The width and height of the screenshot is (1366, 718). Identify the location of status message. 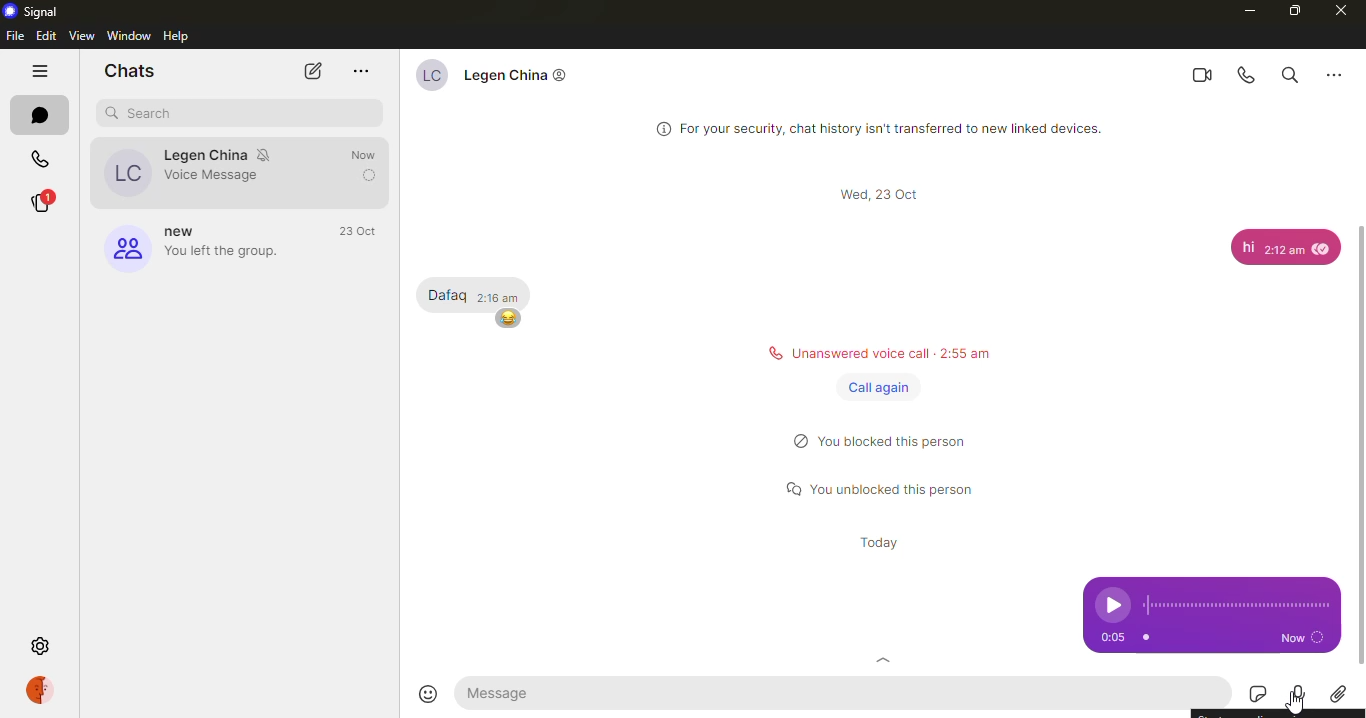
(895, 350).